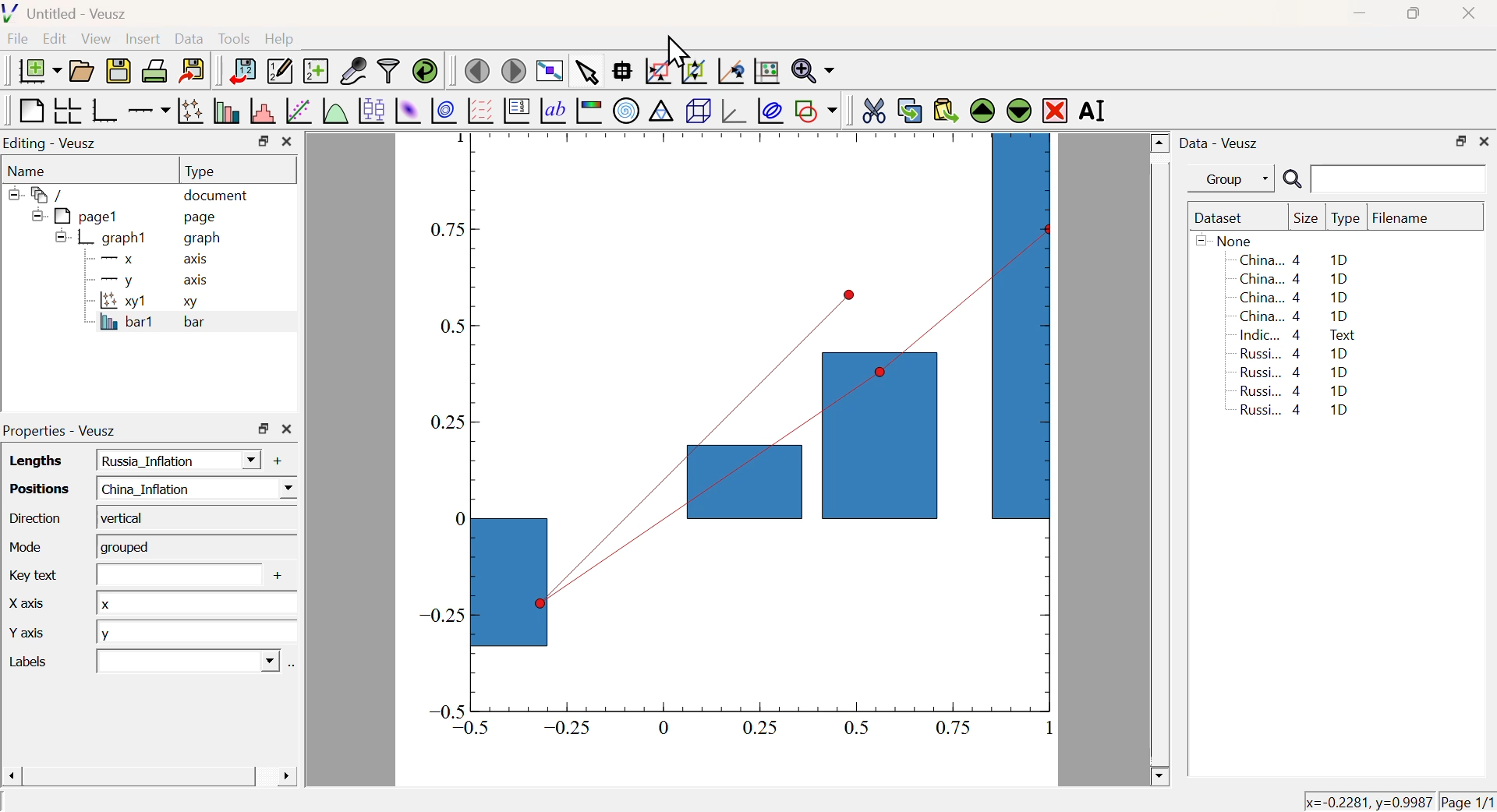 The width and height of the screenshot is (1497, 812). Describe the element at coordinates (388, 69) in the screenshot. I see `Filter Data` at that location.